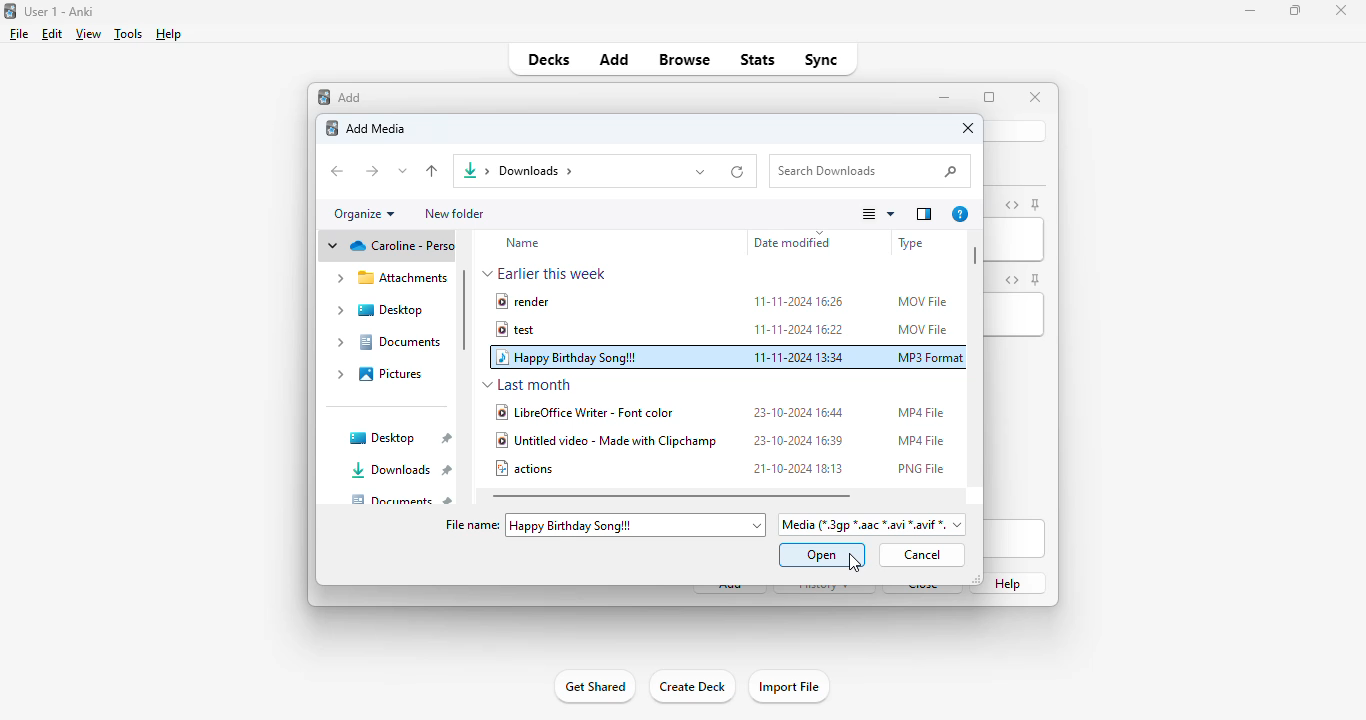  What do you see at coordinates (799, 412) in the screenshot?
I see `23-10-2024` at bounding box center [799, 412].